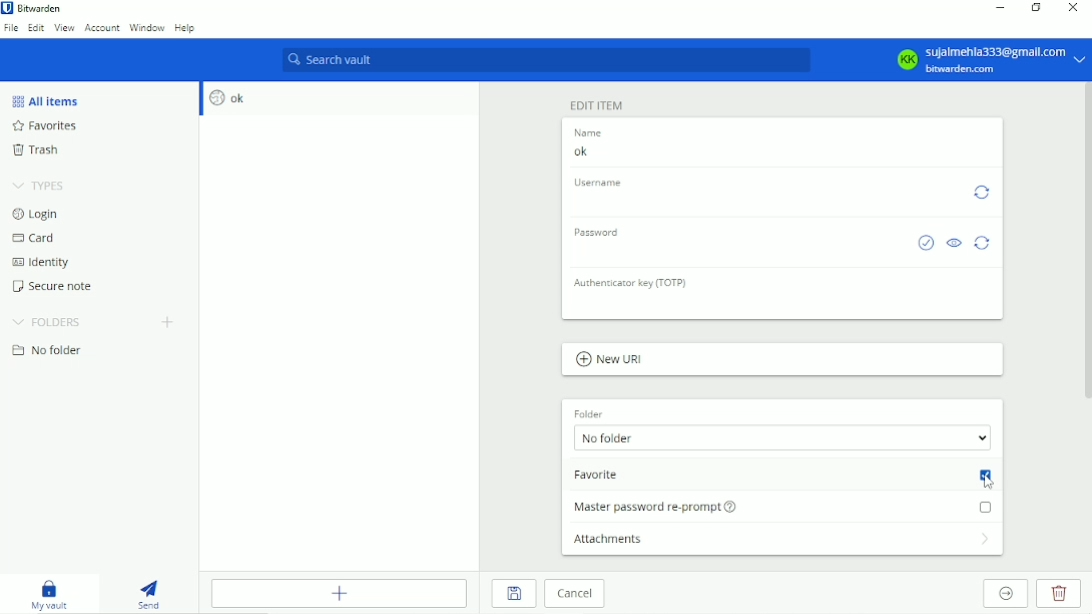 This screenshot has width=1092, height=614. I want to click on favorites, so click(46, 127).